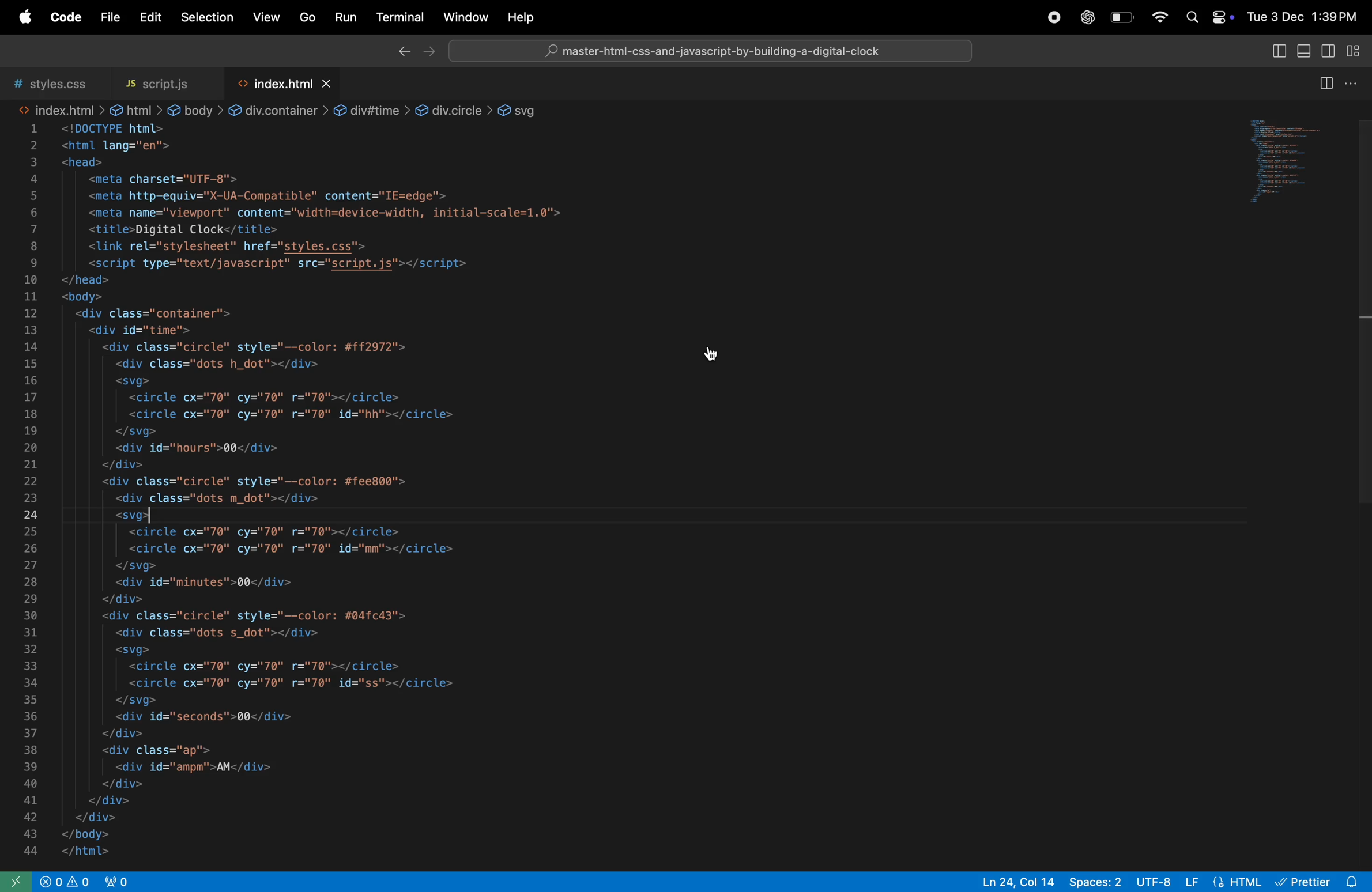 Image resolution: width=1372 pixels, height=892 pixels. What do you see at coordinates (148, 18) in the screenshot?
I see `edit` at bounding box center [148, 18].